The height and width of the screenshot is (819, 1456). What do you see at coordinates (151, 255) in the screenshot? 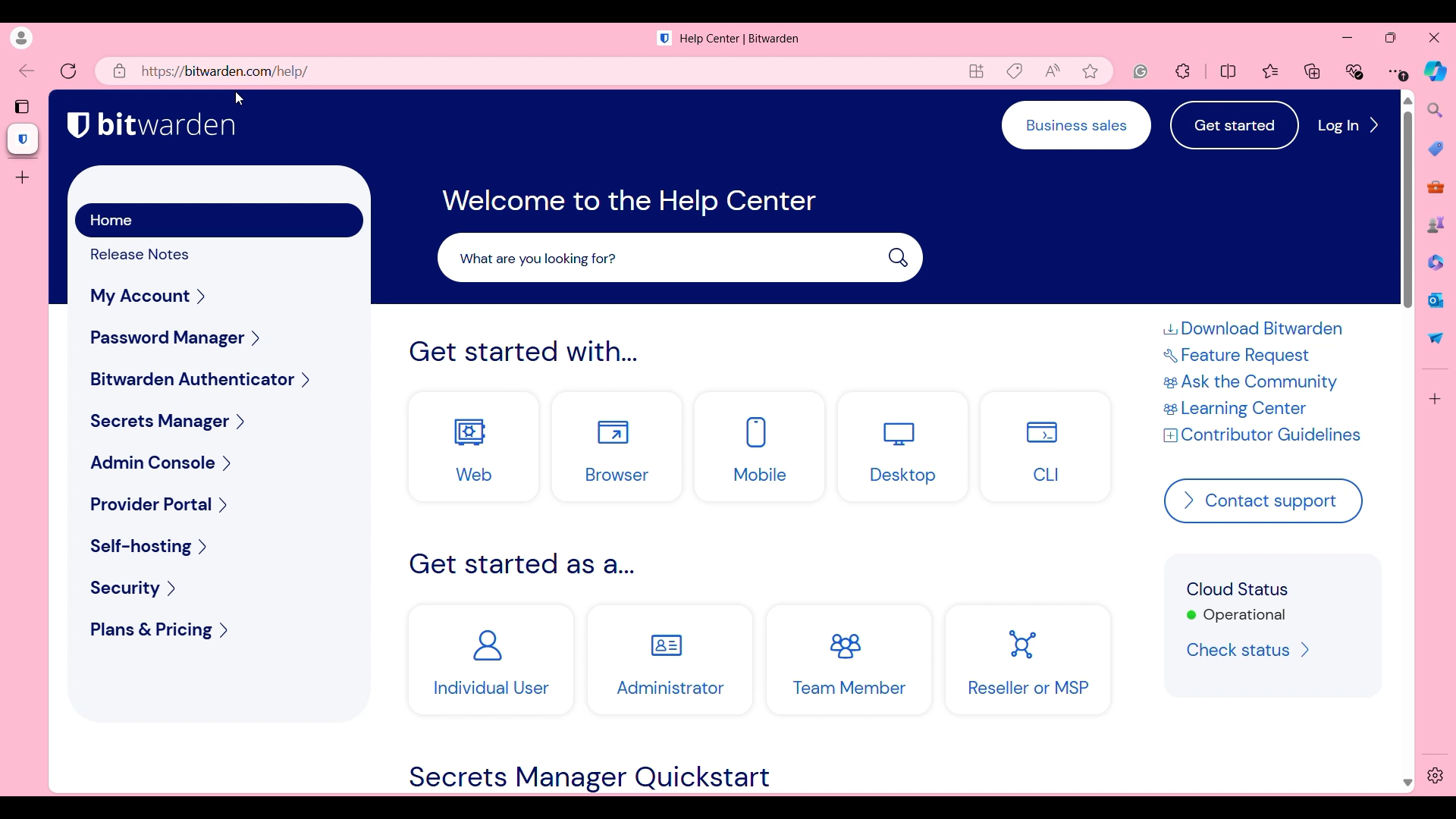
I see `Release notes` at bounding box center [151, 255].